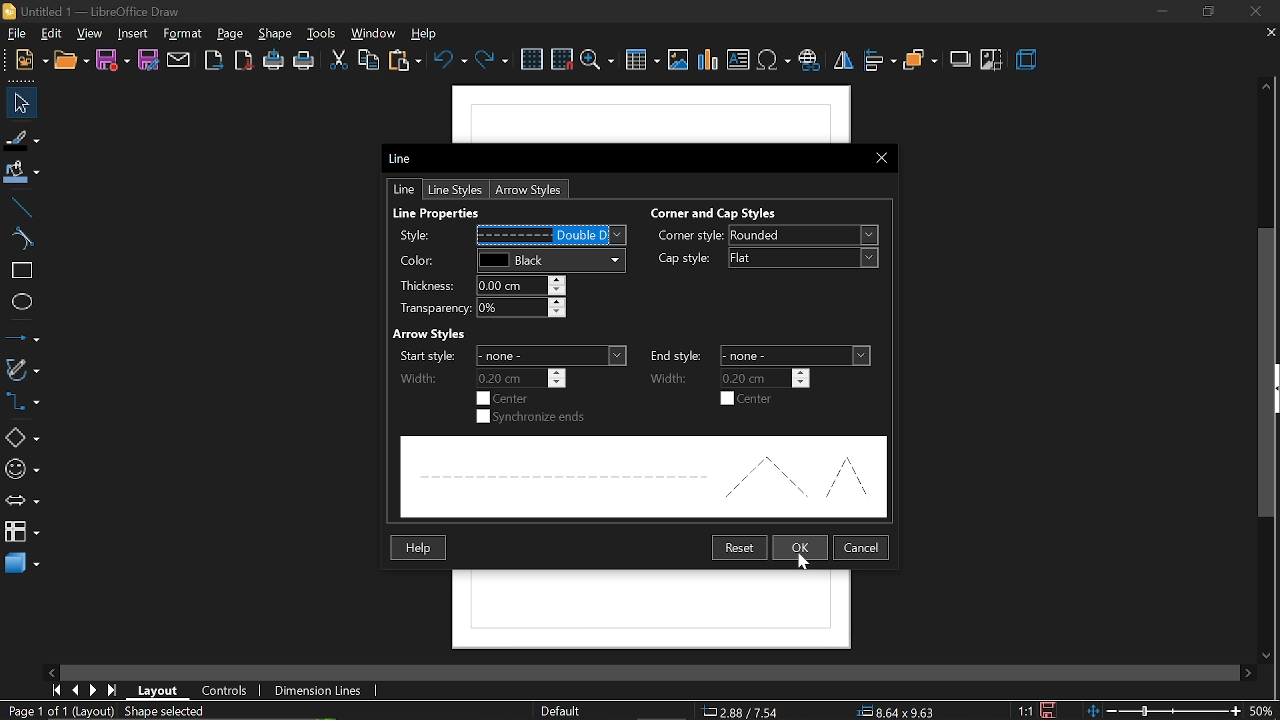 Image resolution: width=1280 pixels, height=720 pixels. I want to click on crop, so click(991, 59).